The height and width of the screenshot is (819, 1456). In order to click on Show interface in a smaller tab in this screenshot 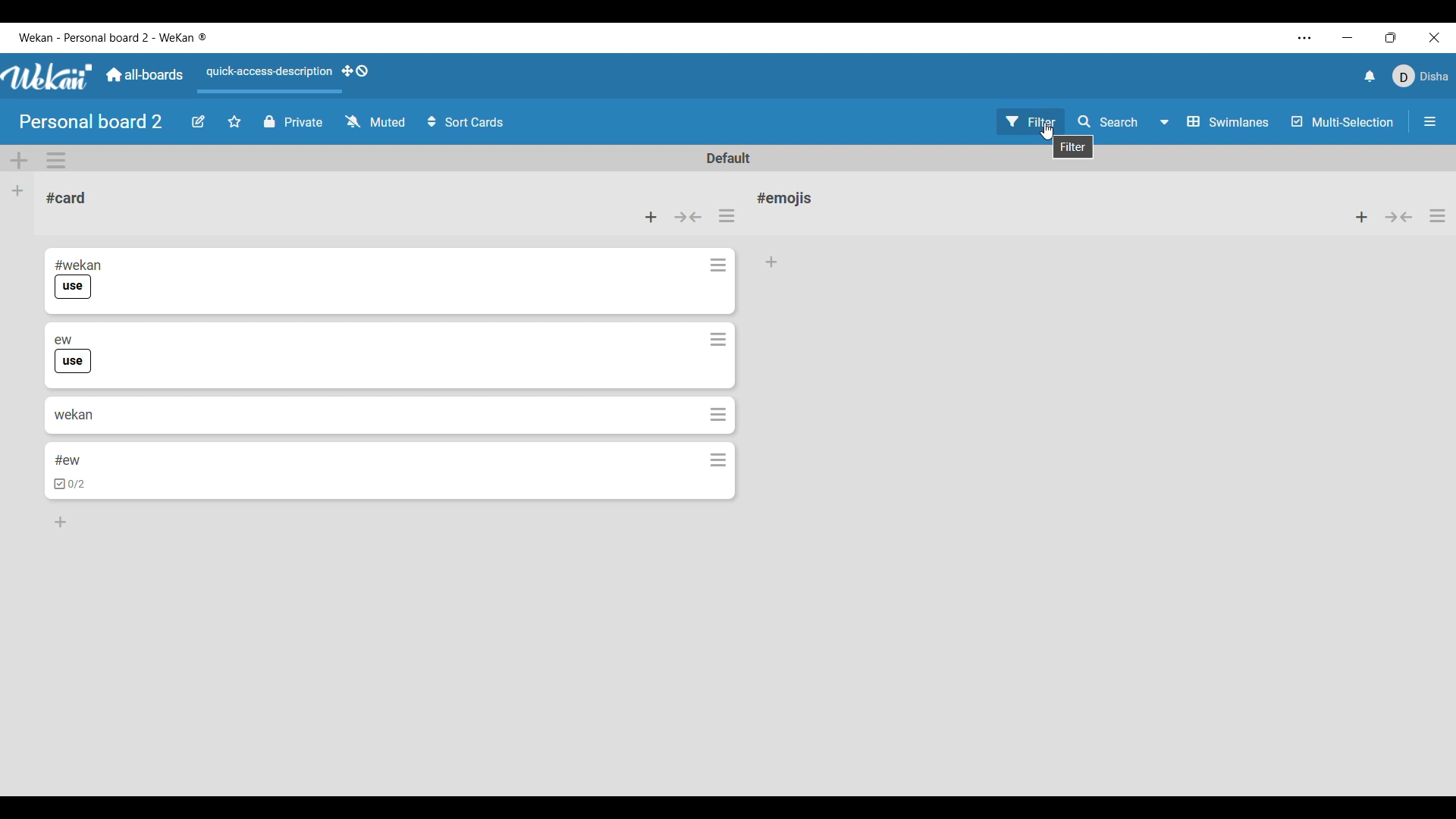, I will do `click(1391, 37)`.